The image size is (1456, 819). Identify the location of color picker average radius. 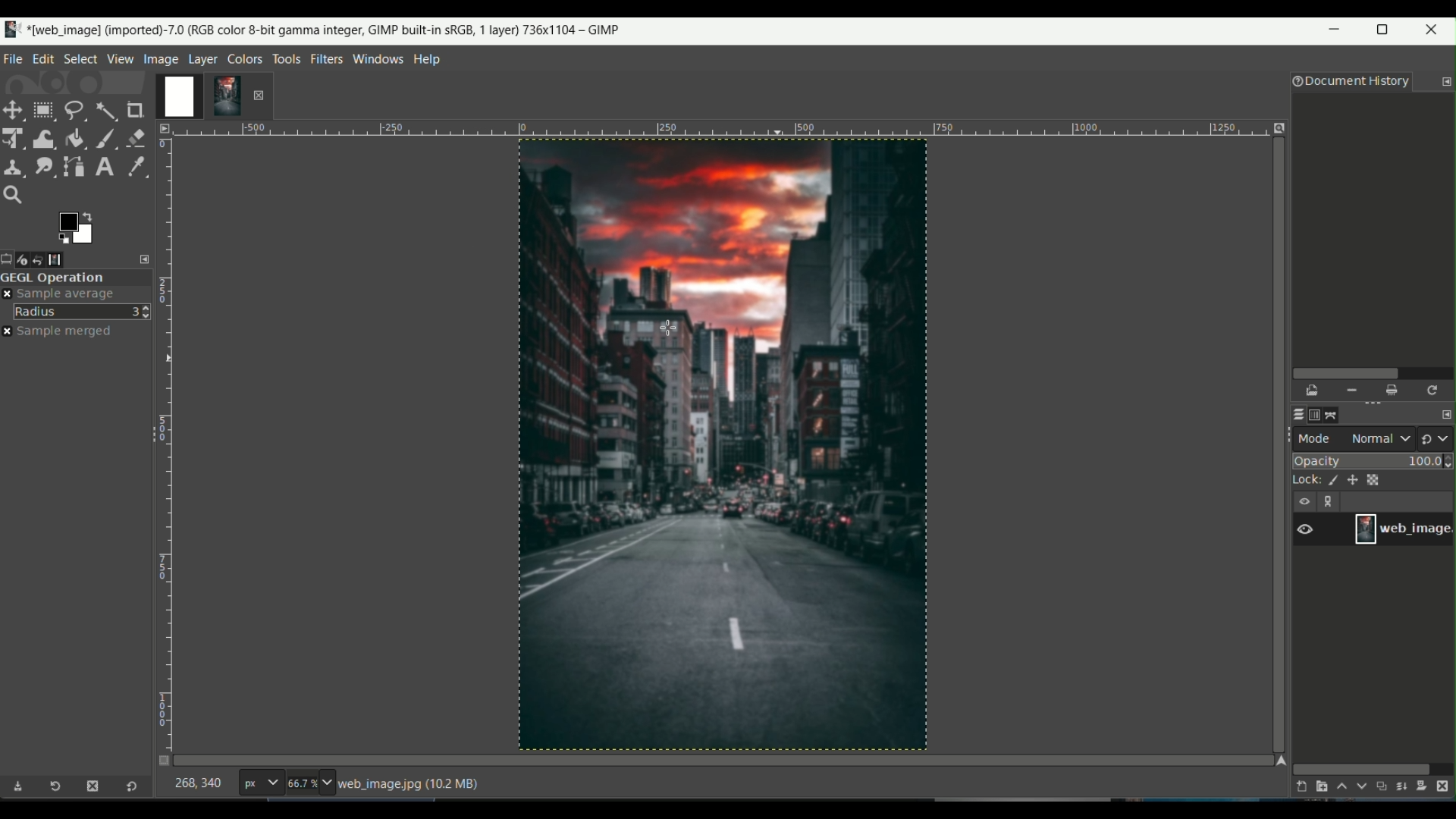
(83, 311).